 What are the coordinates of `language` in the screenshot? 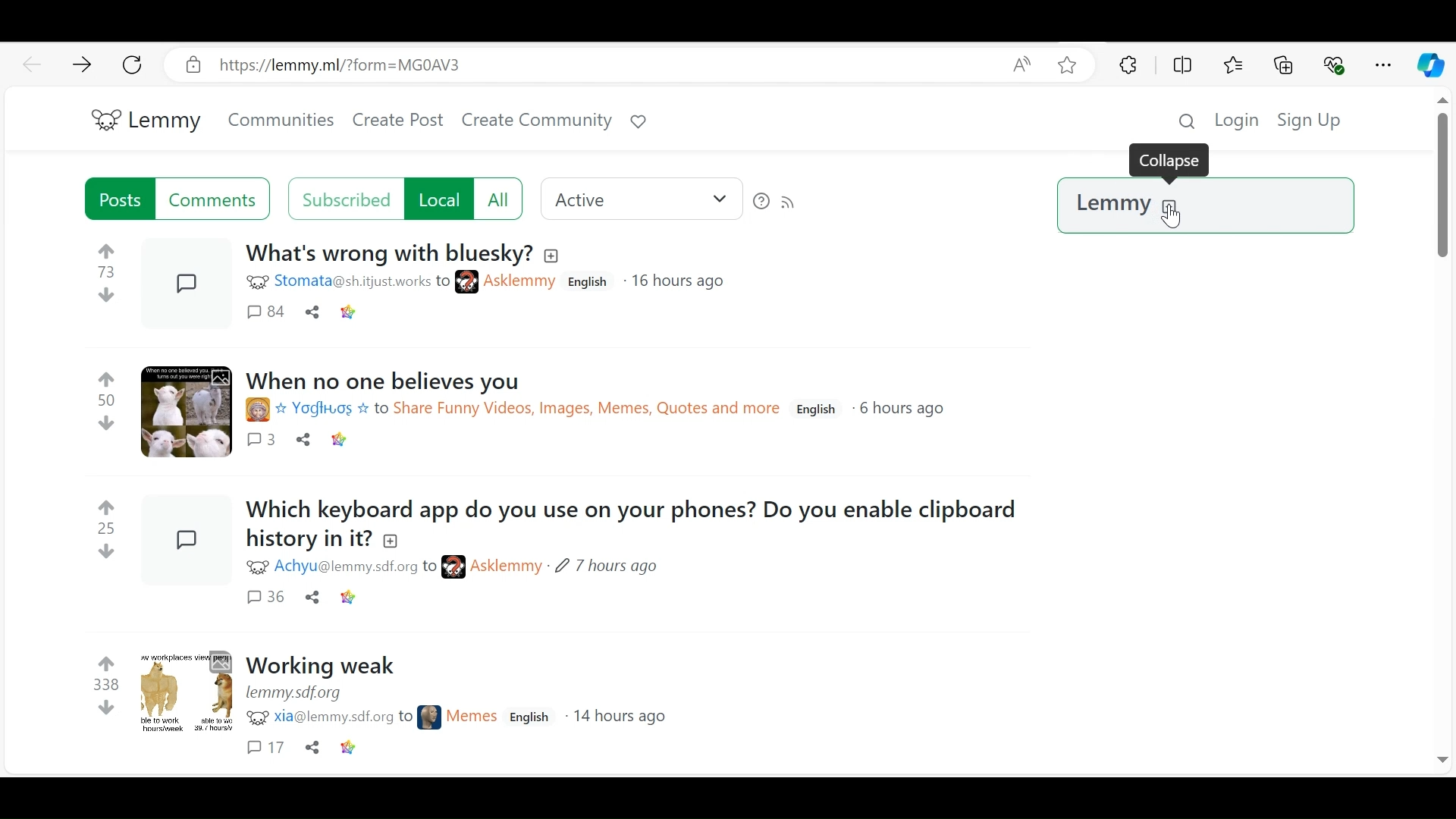 It's located at (820, 409).